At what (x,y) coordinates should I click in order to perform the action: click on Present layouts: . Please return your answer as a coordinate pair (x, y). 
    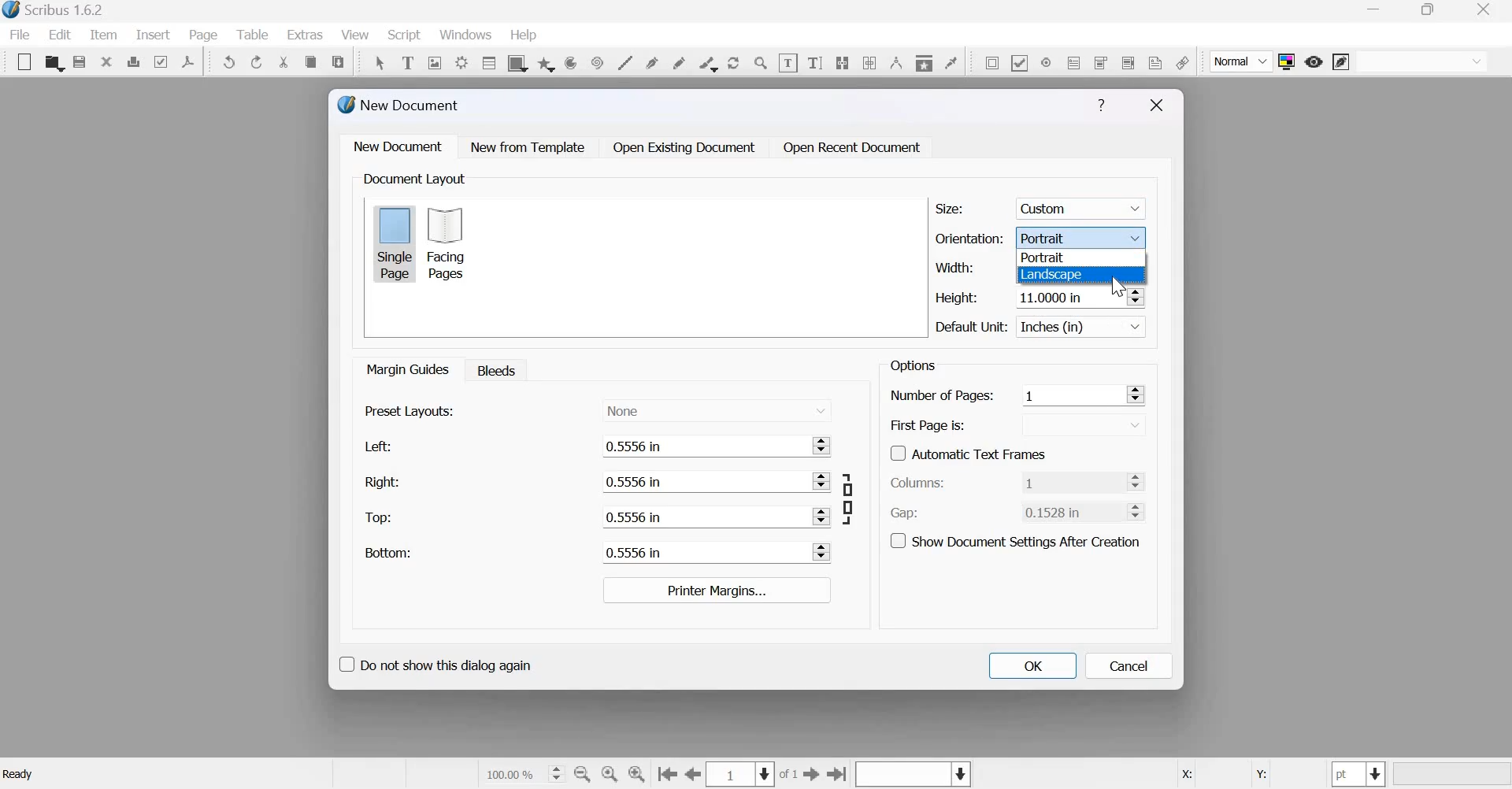
    Looking at the image, I should click on (410, 410).